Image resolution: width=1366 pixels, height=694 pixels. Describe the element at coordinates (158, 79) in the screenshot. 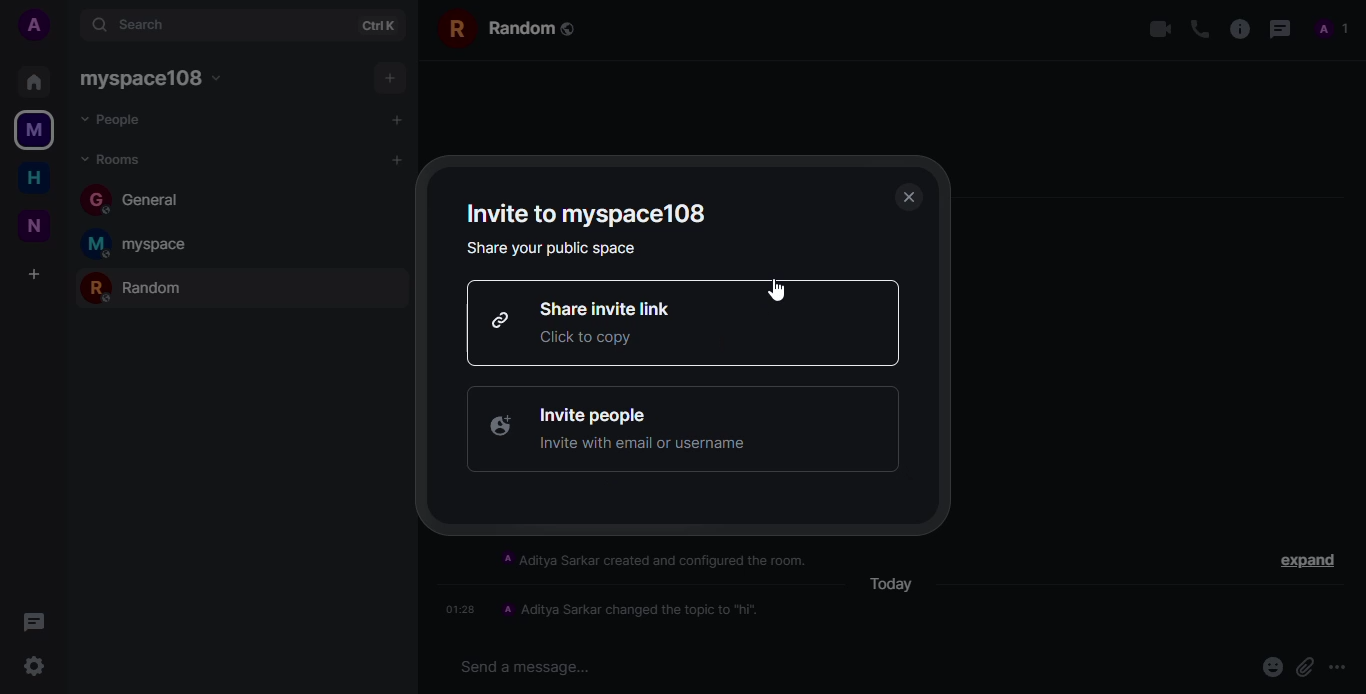

I see `myspace108` at that location.